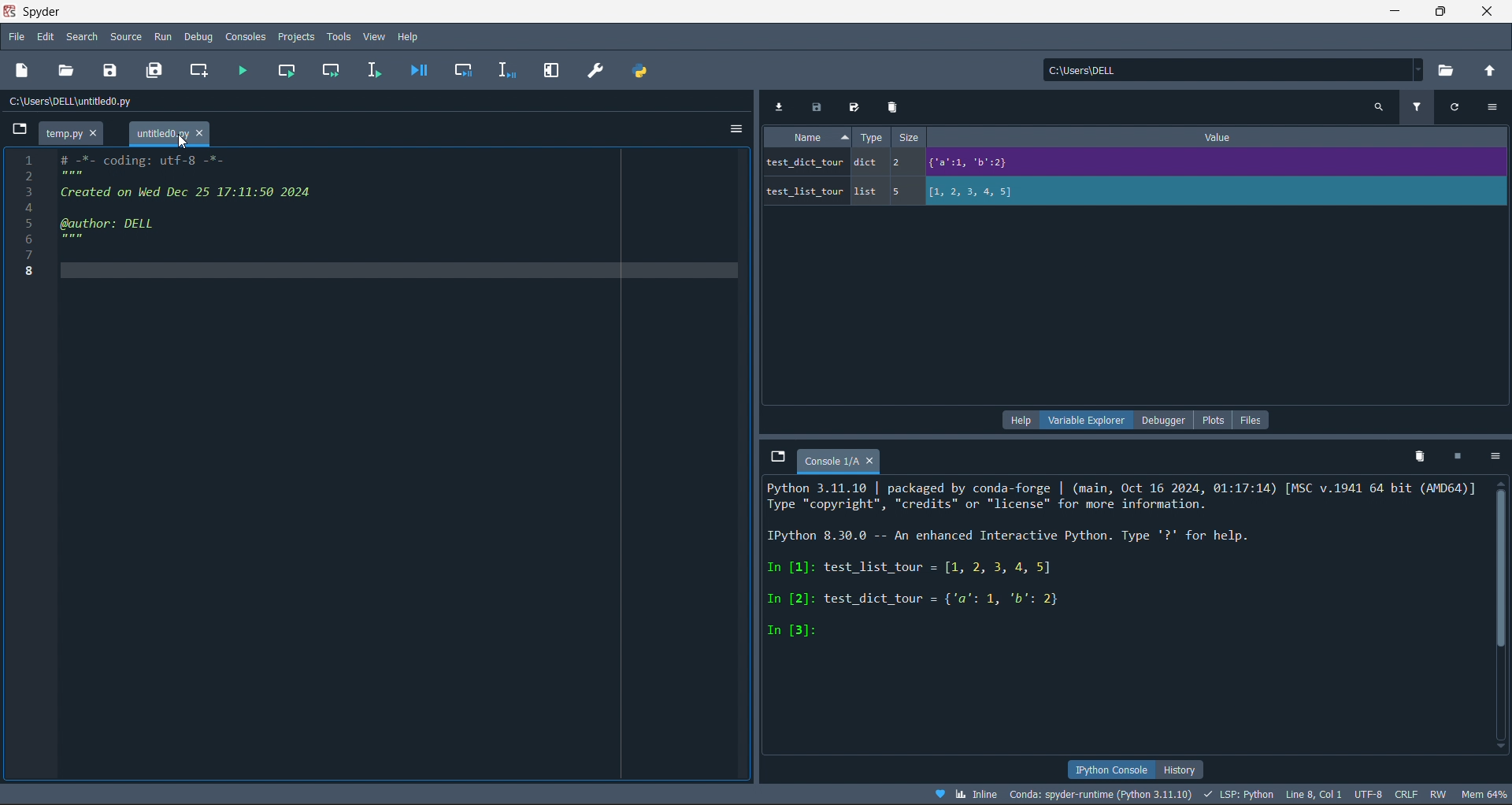 The height and width of the screenshot is (805, 1512). I want to click on close, so click(1489, 13).